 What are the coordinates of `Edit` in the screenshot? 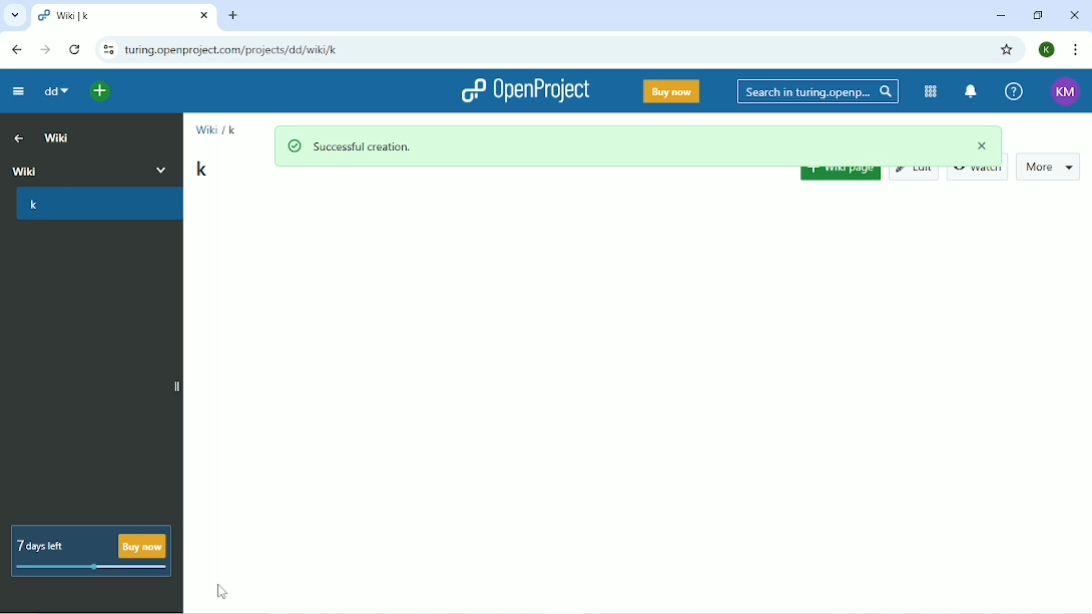 It's located at (915, 173).